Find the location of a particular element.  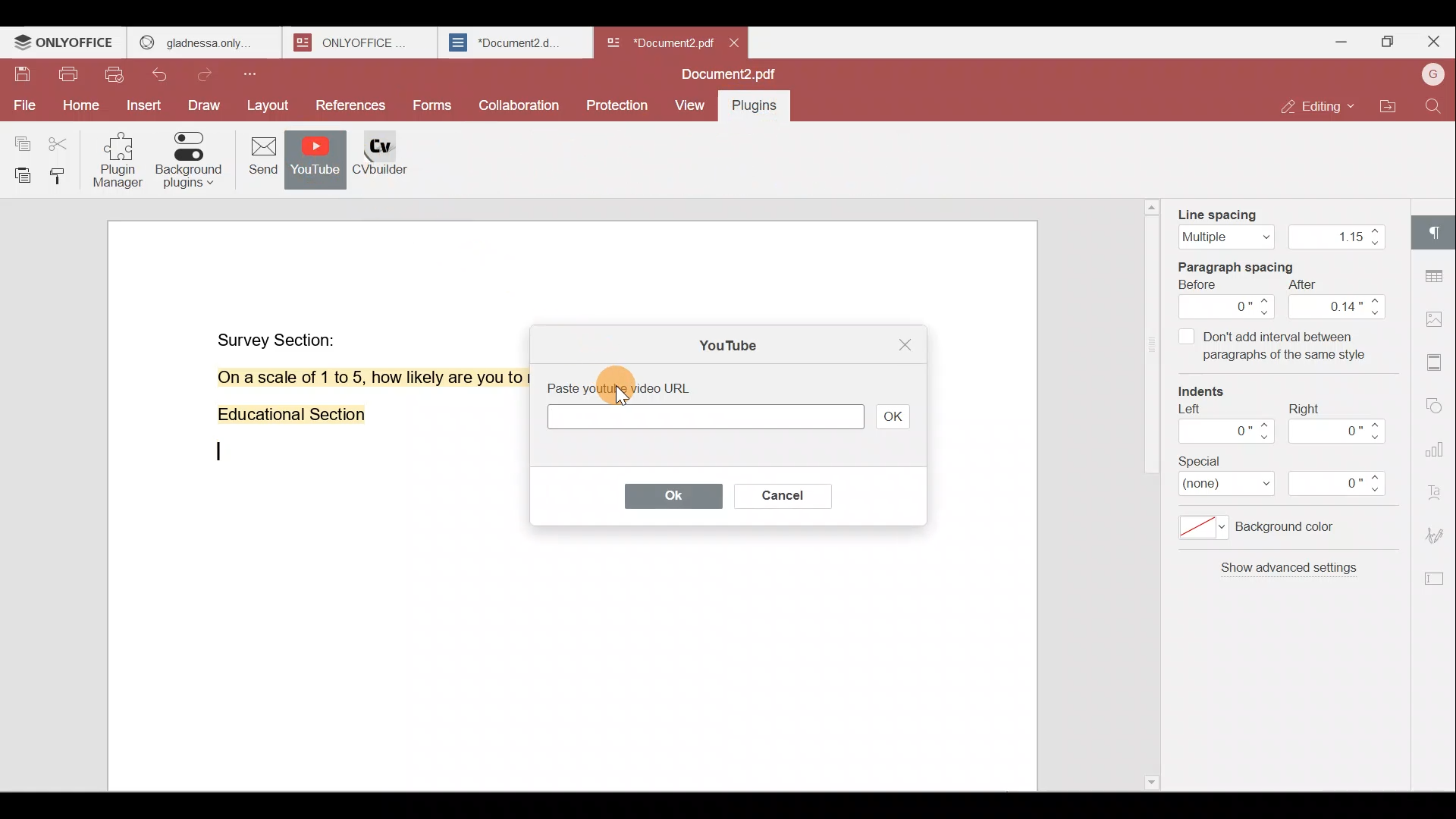

Document name is located at coordinates (733, 76).